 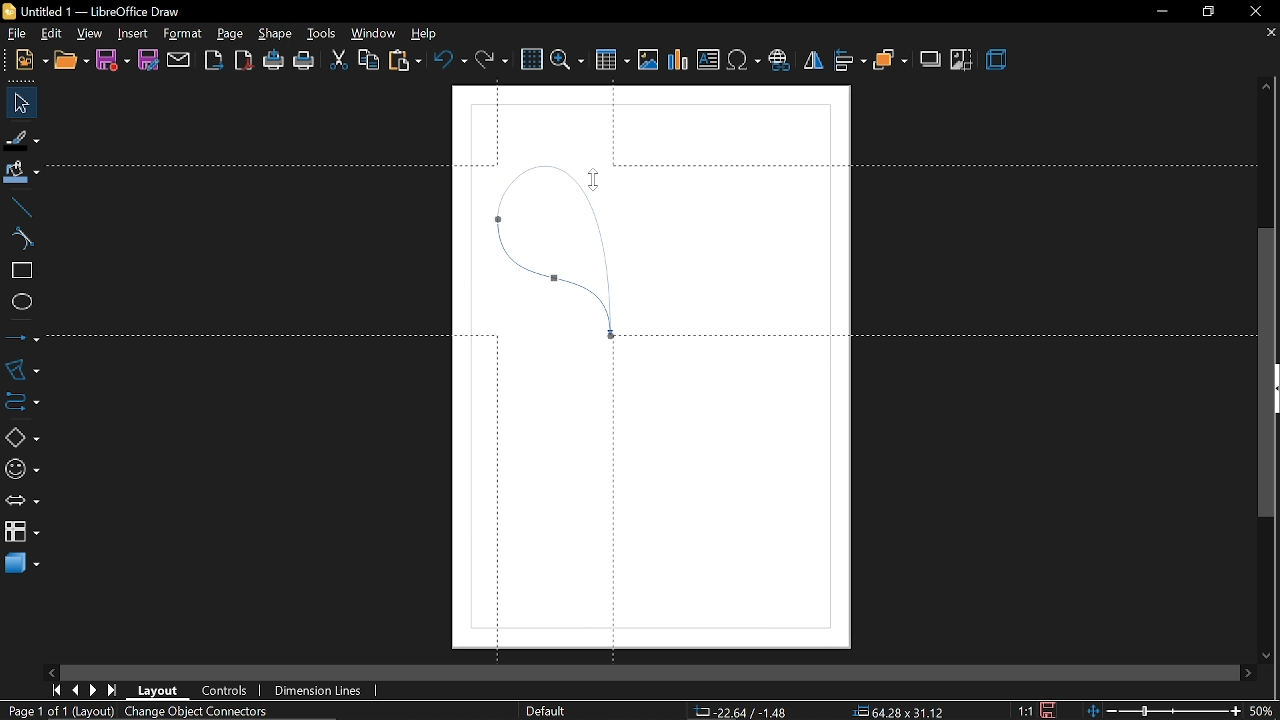 What do you see at coordinates (492, 62) in the screenshot?
I see `redo` at bounding box center [492, 62].